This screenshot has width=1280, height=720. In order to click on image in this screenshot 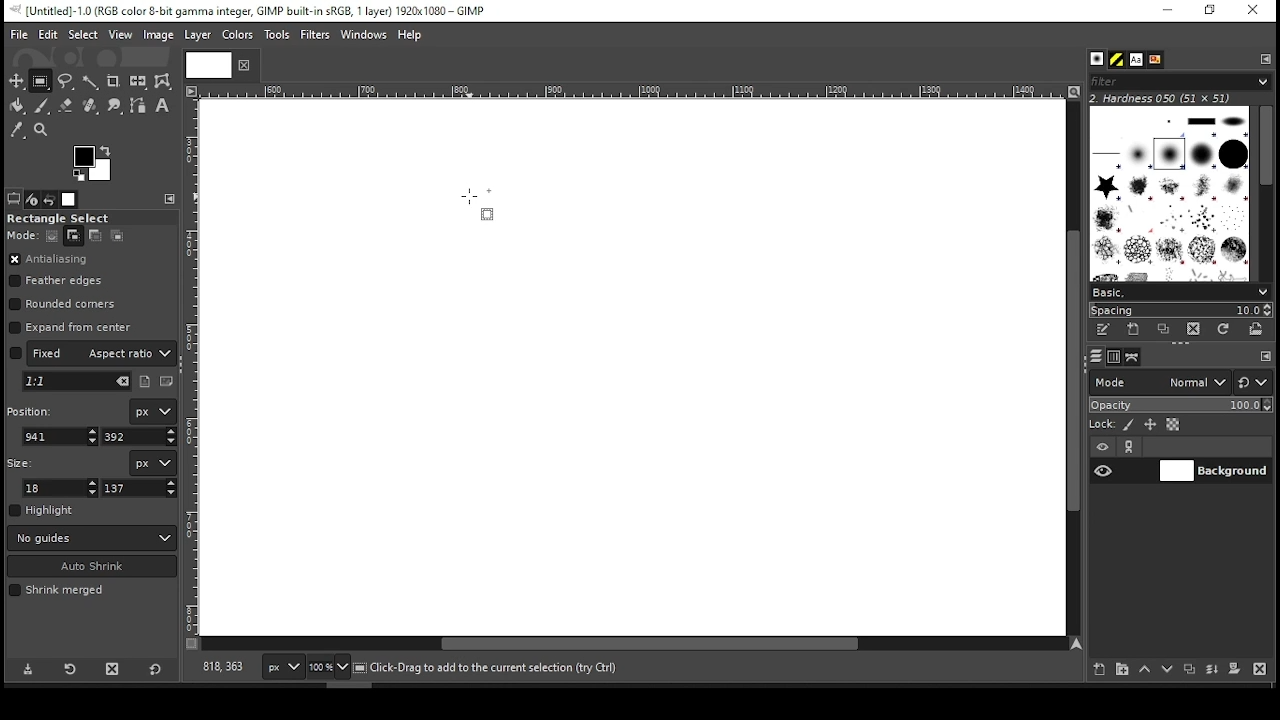, I will do `click(157, 35)`.